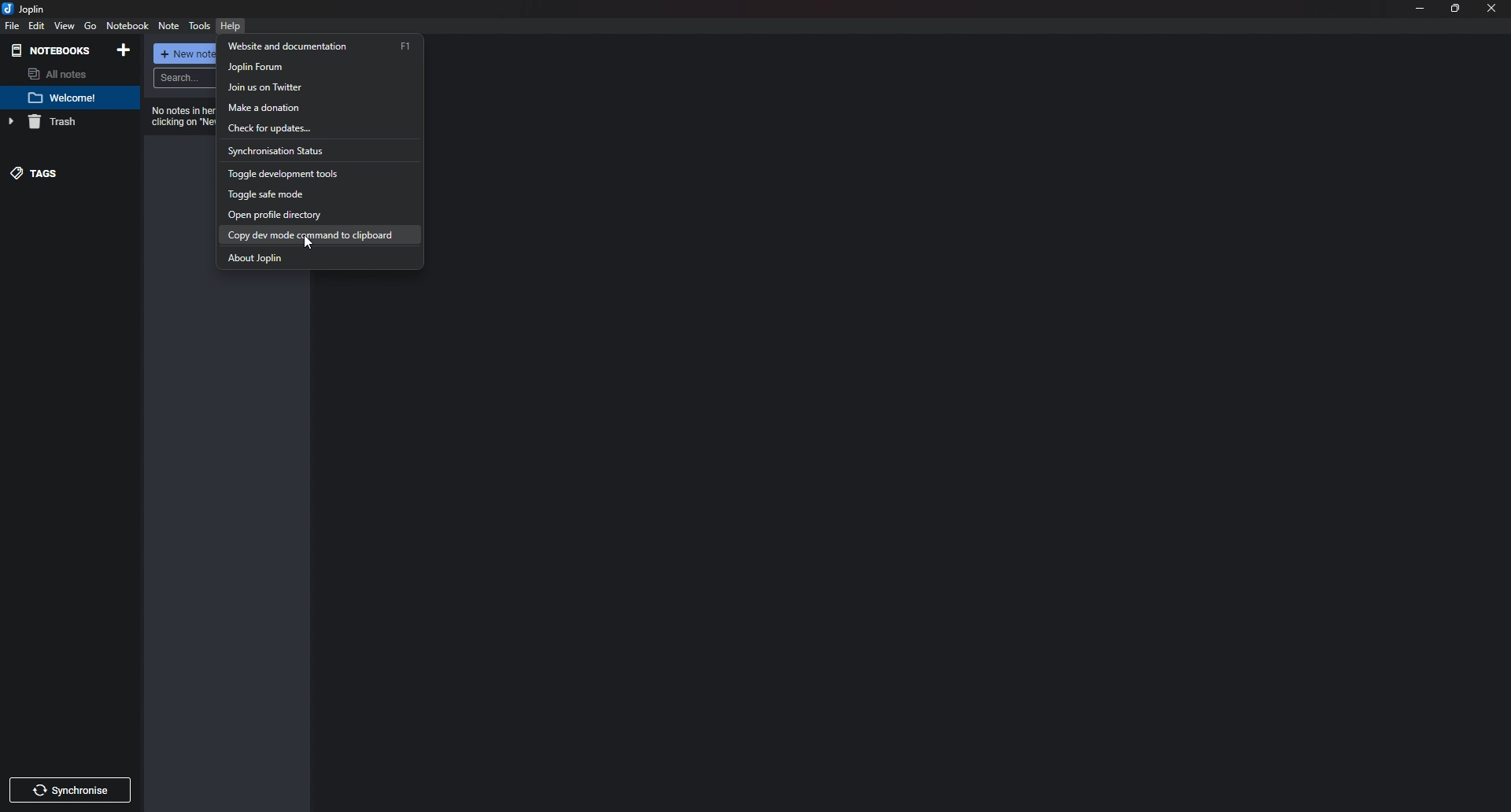 This screenshot has height=812, width=1511. I want to click on note, so click(169, 26).